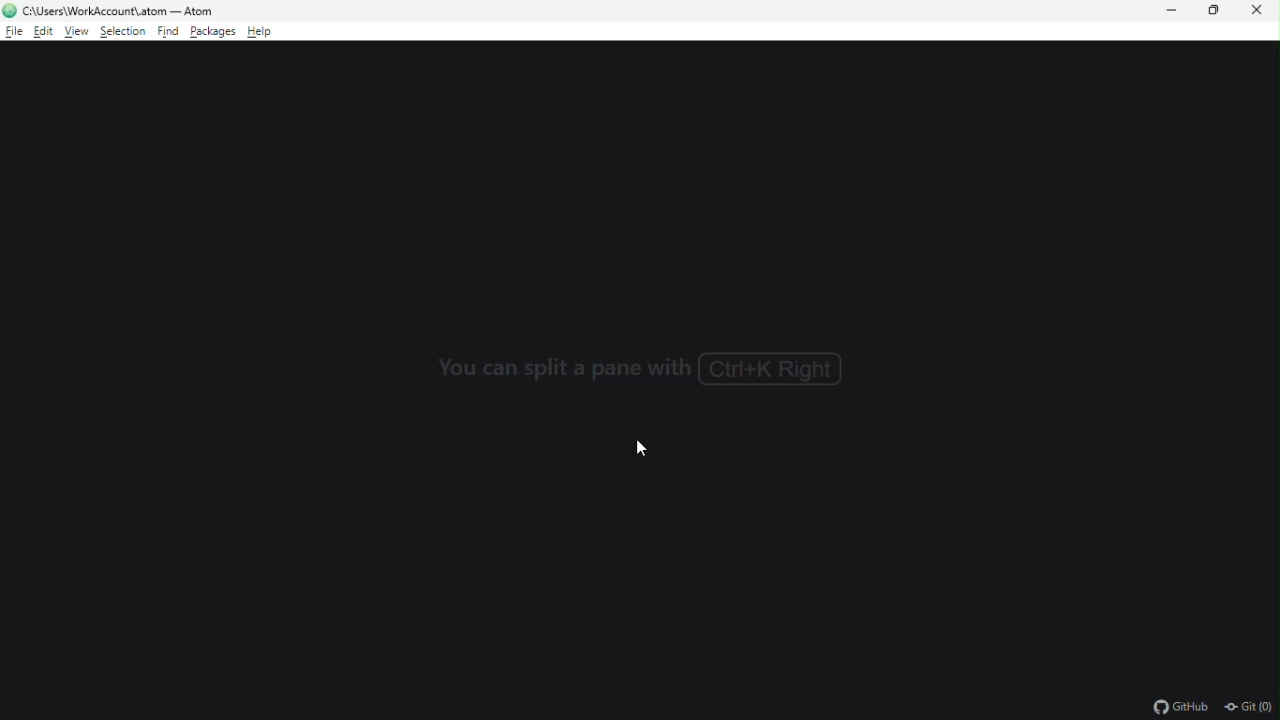 This screenshot has height=720, width=1280. Describe the element at coordinates (1170, 706) in the screenshot. I see `GitHub` at that location.